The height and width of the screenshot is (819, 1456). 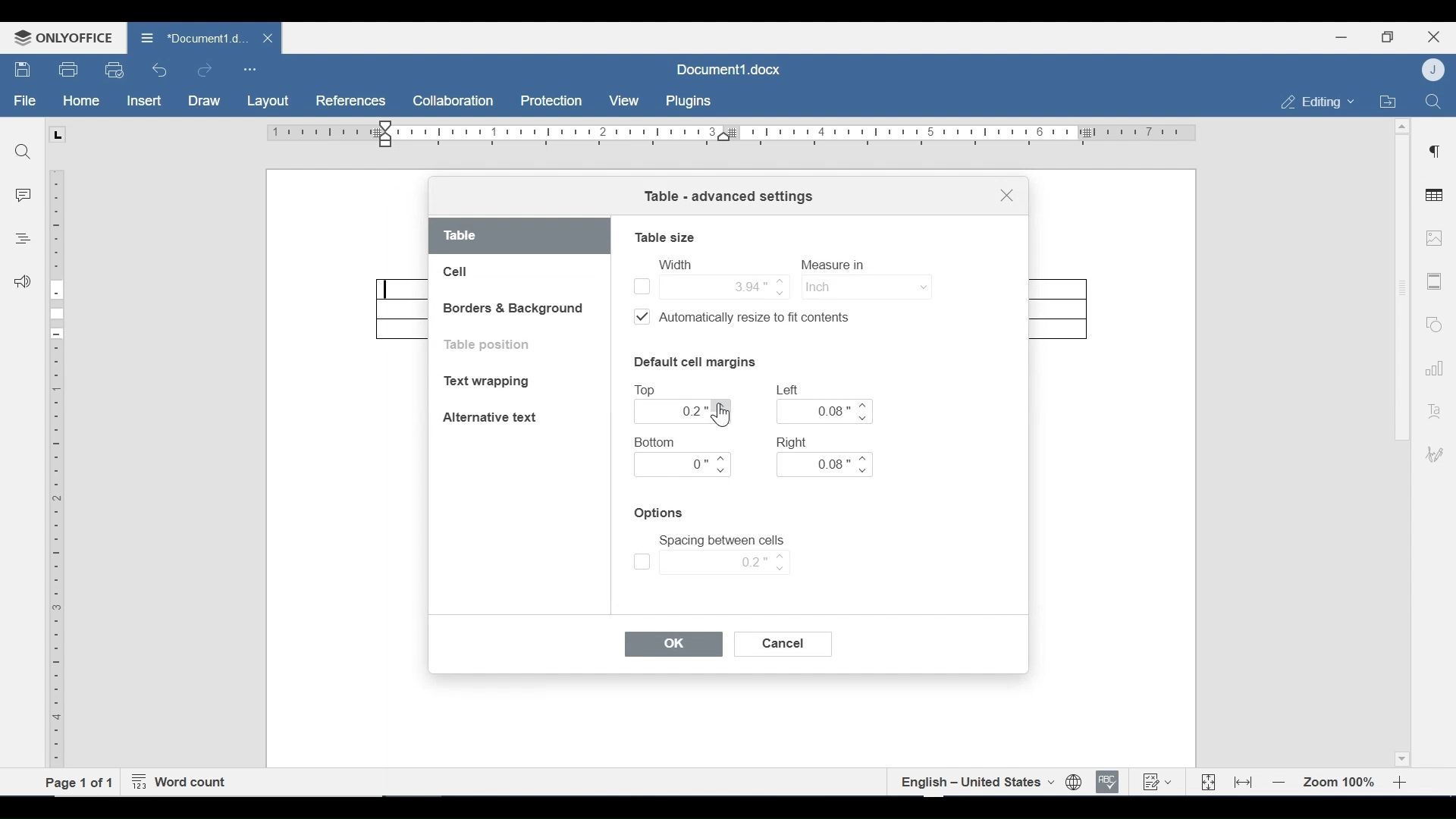 I want to click on Graph, so click(x=1431, y=366).